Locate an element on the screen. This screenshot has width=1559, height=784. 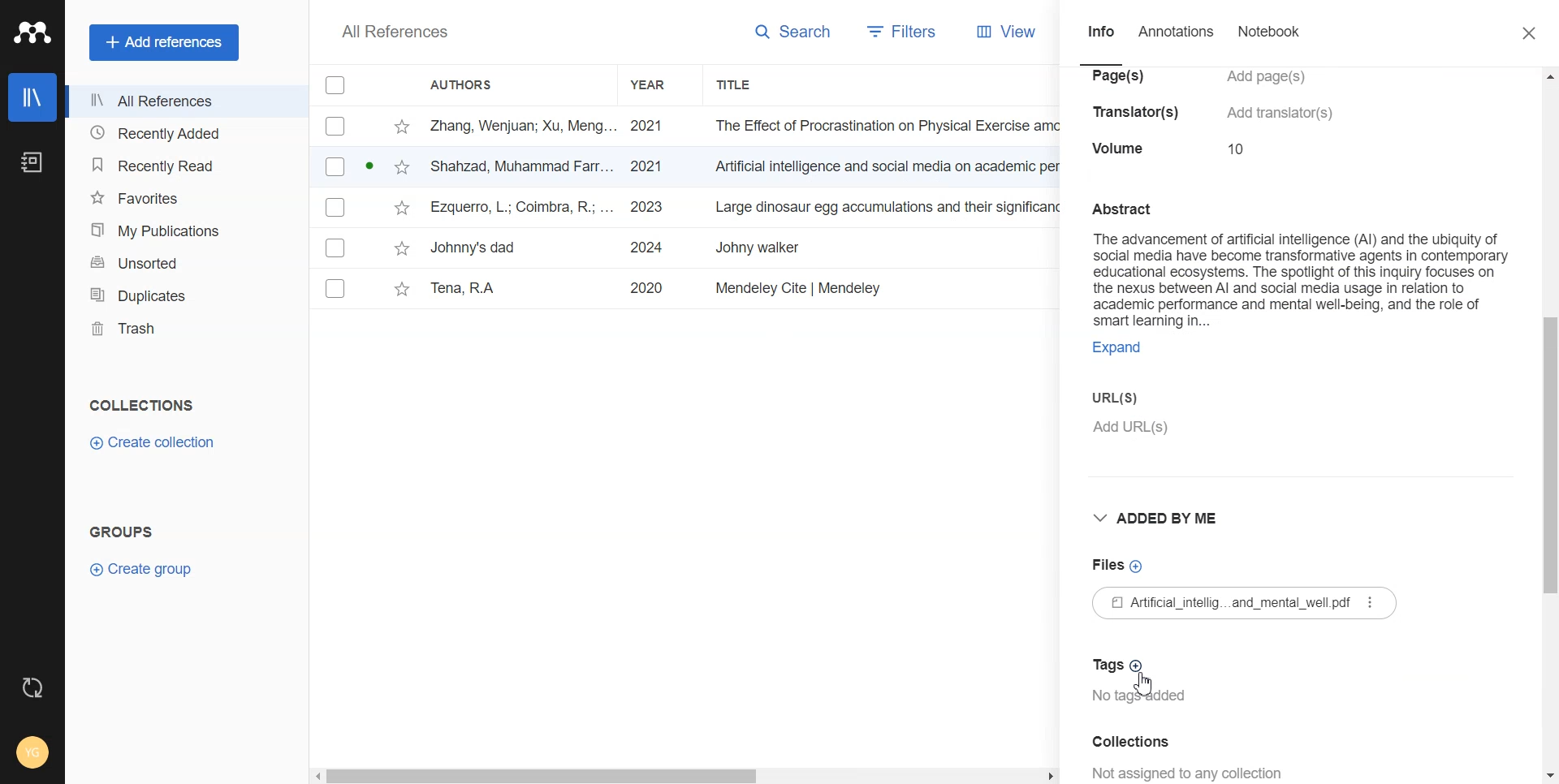
File is located at coordinates (687, 167).